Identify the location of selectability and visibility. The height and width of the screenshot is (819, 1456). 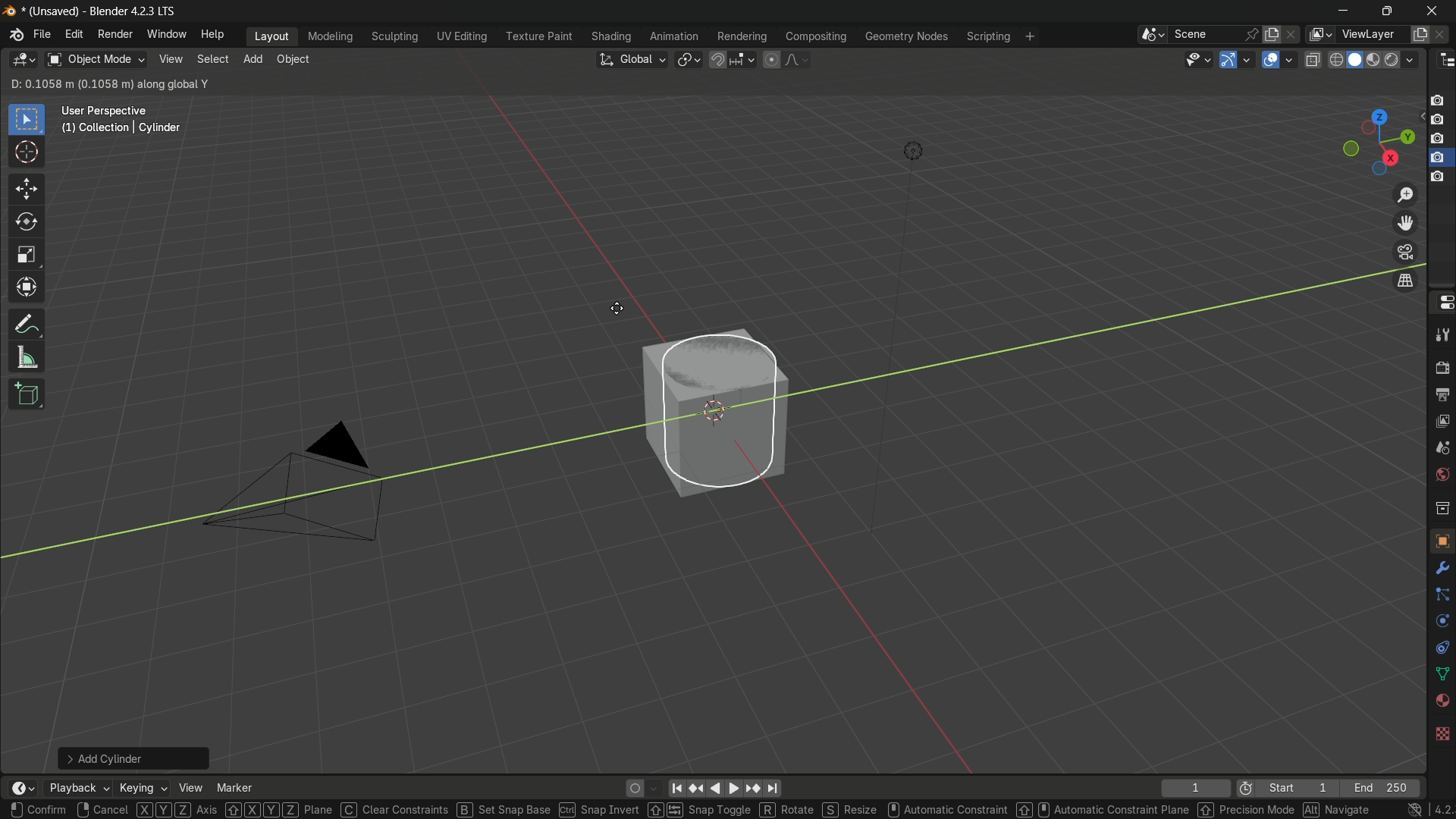
(1197, 59).